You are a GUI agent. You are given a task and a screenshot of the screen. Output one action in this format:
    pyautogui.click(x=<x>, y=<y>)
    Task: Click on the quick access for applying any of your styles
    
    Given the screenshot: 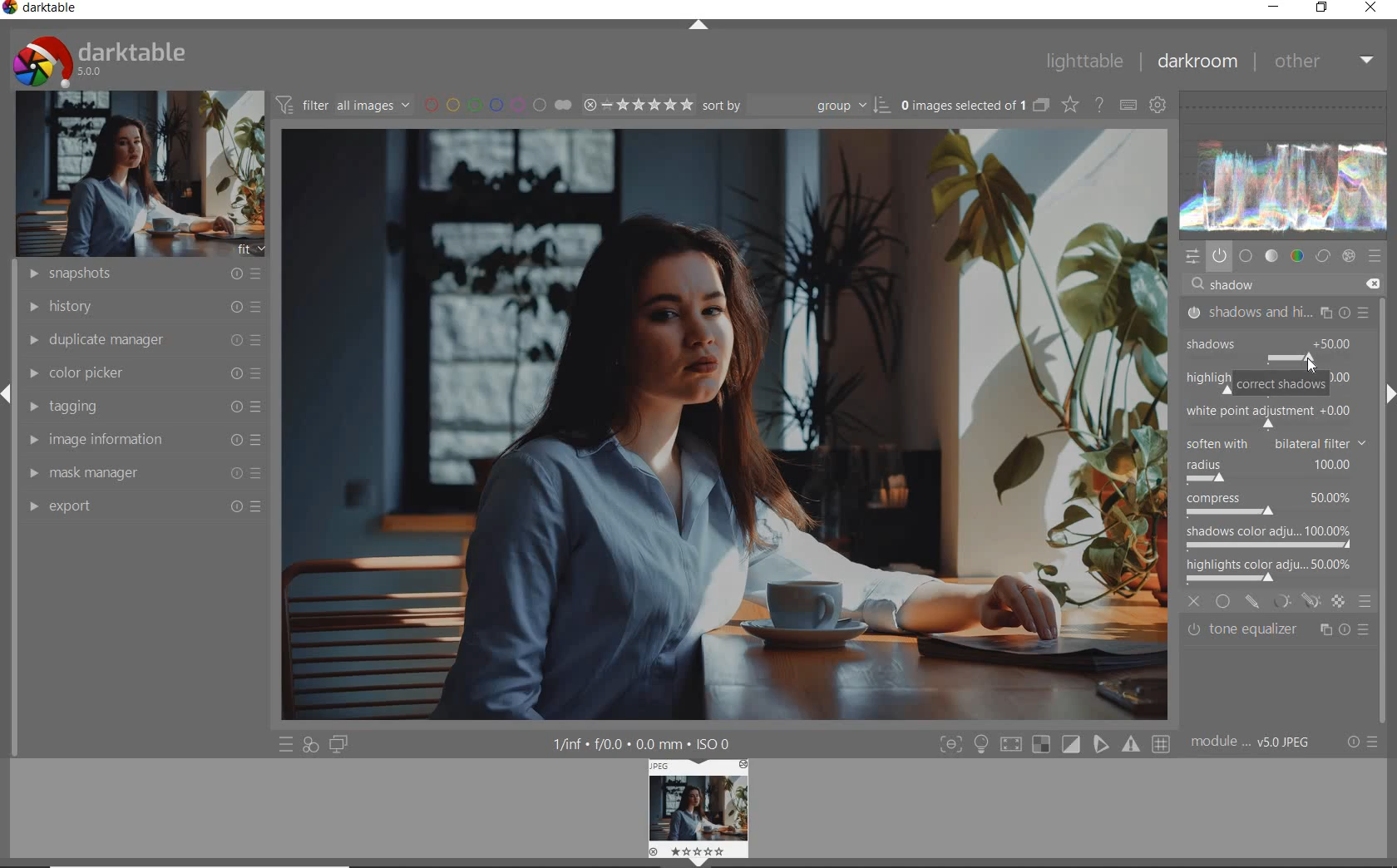 What is the action you would take?
    pyautogui.click(x=312, y=746)
    